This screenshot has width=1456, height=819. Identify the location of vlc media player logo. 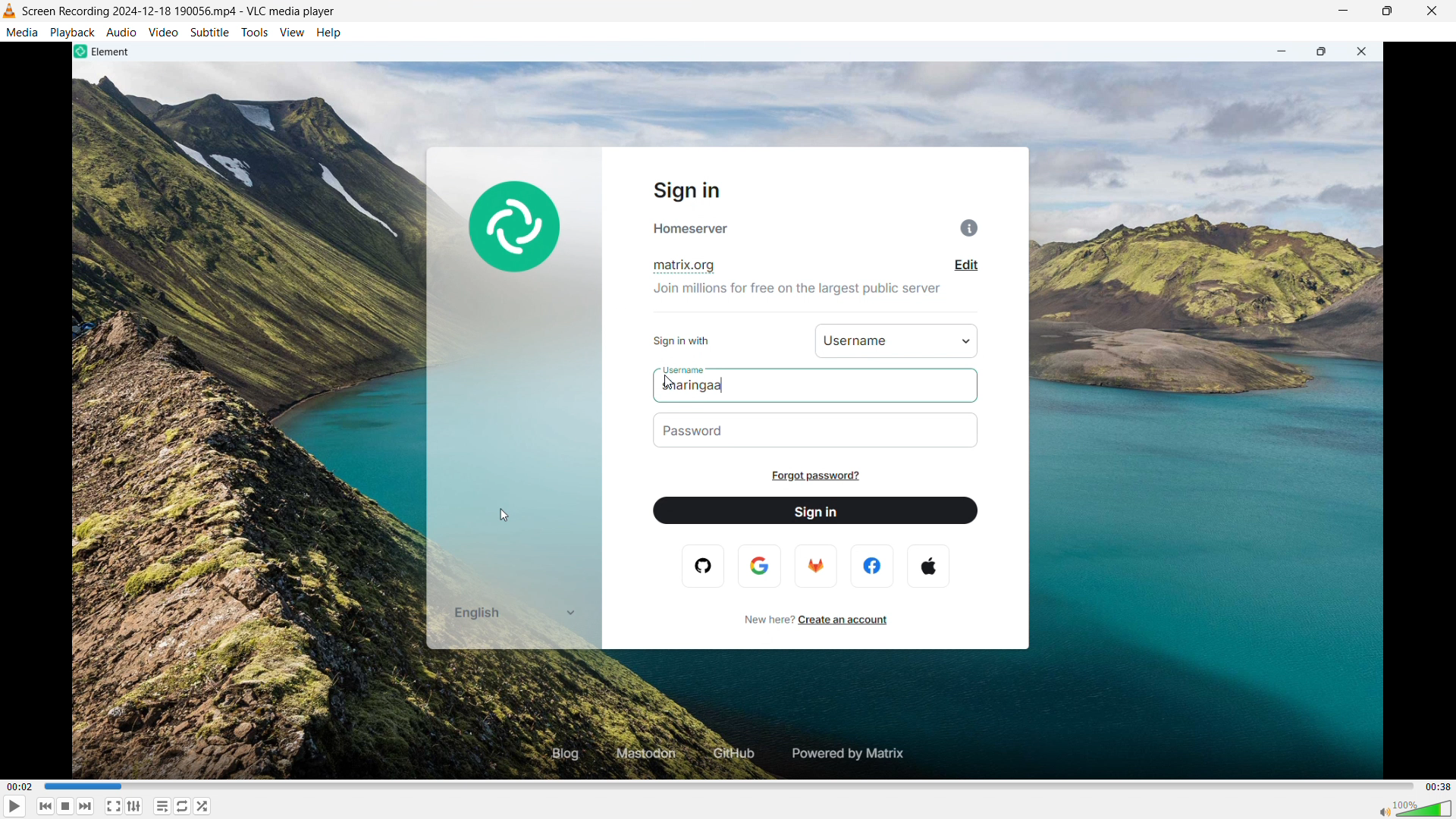
(10, 11).